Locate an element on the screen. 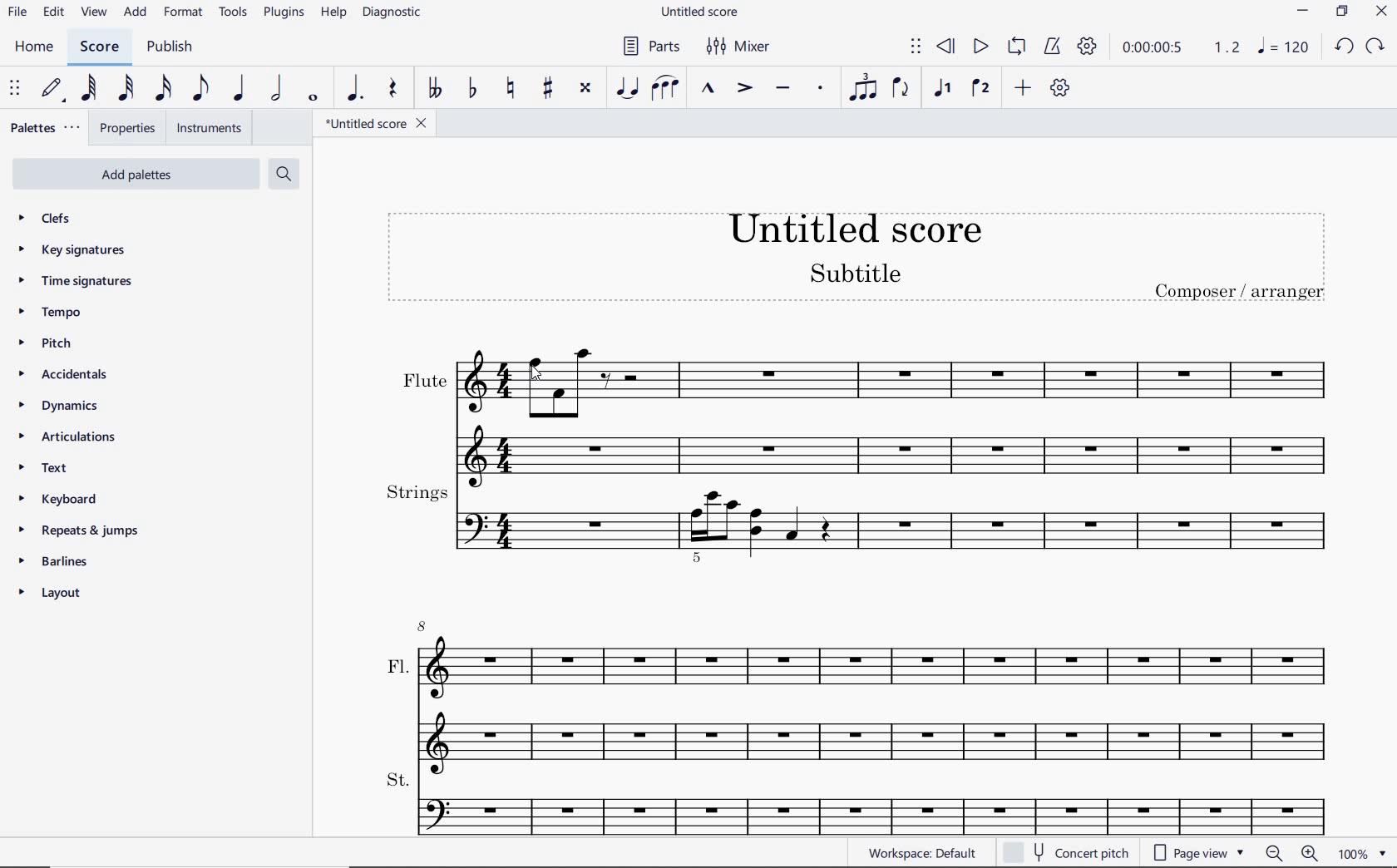  SELECT TO MOVE is located at coordinates (916, 47).